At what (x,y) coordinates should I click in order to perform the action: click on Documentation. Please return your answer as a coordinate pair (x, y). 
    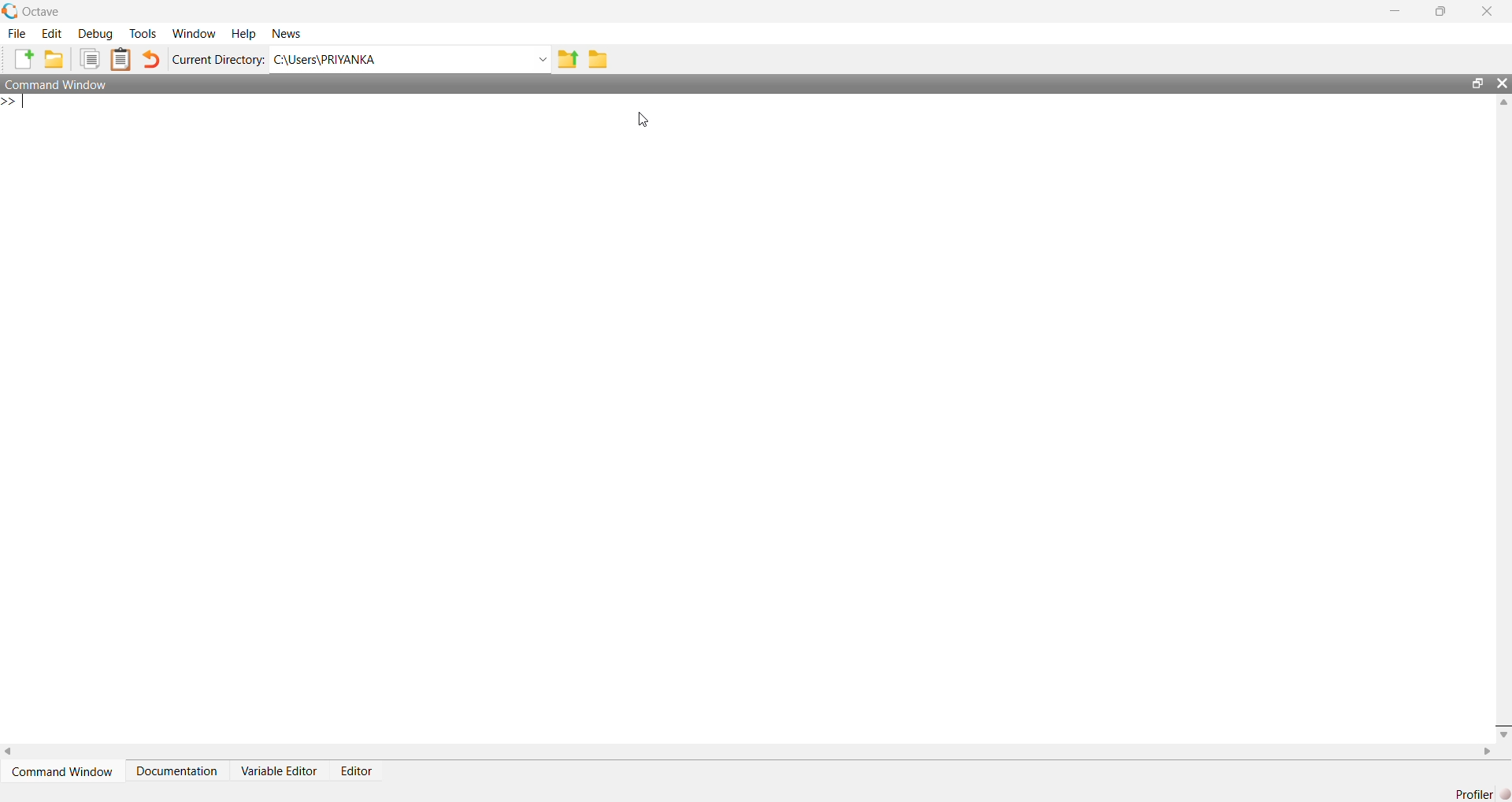
    Looking at the image, I should click on (176, 770).